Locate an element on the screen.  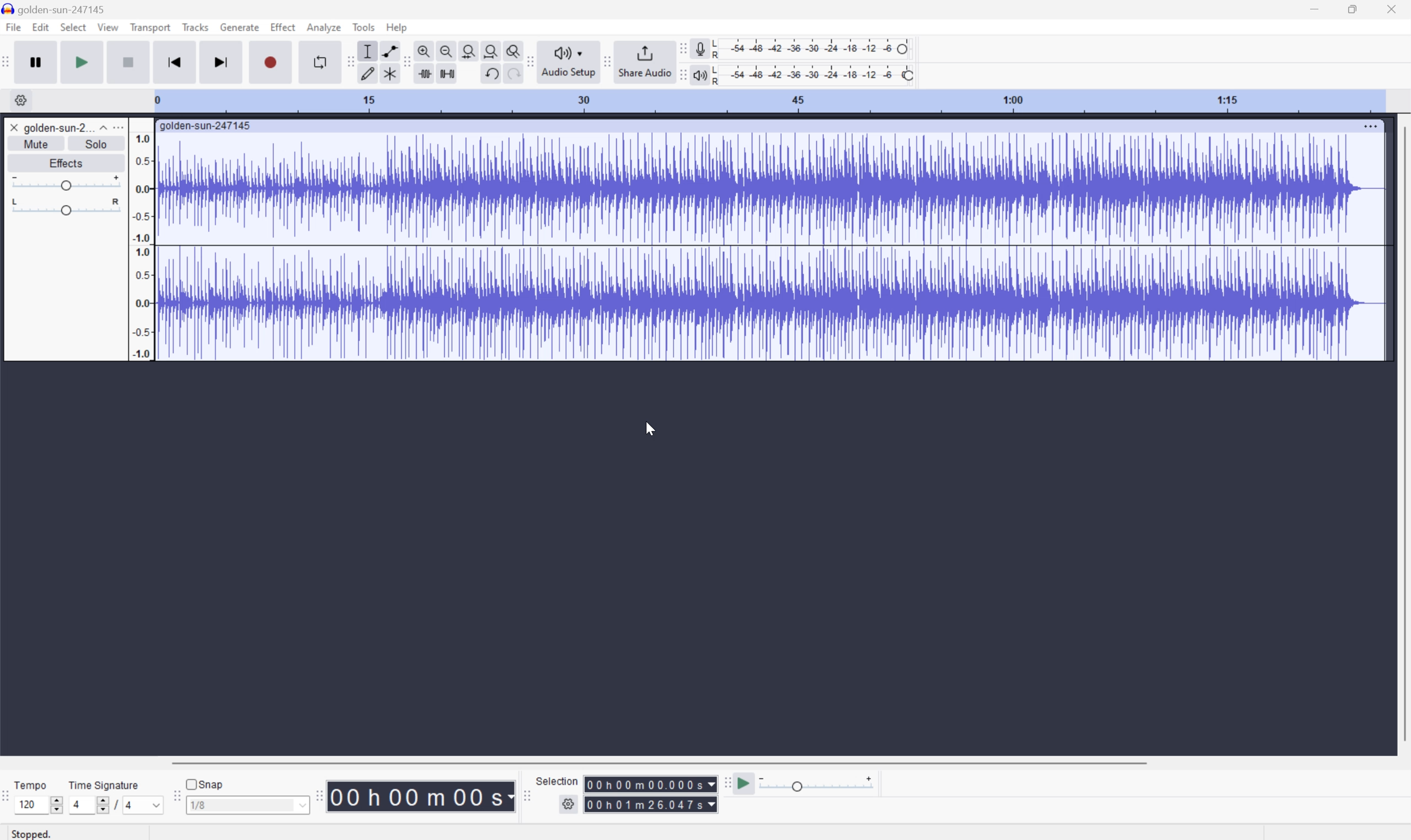
golden-sun-247145 is located at coordinates (207, 126).